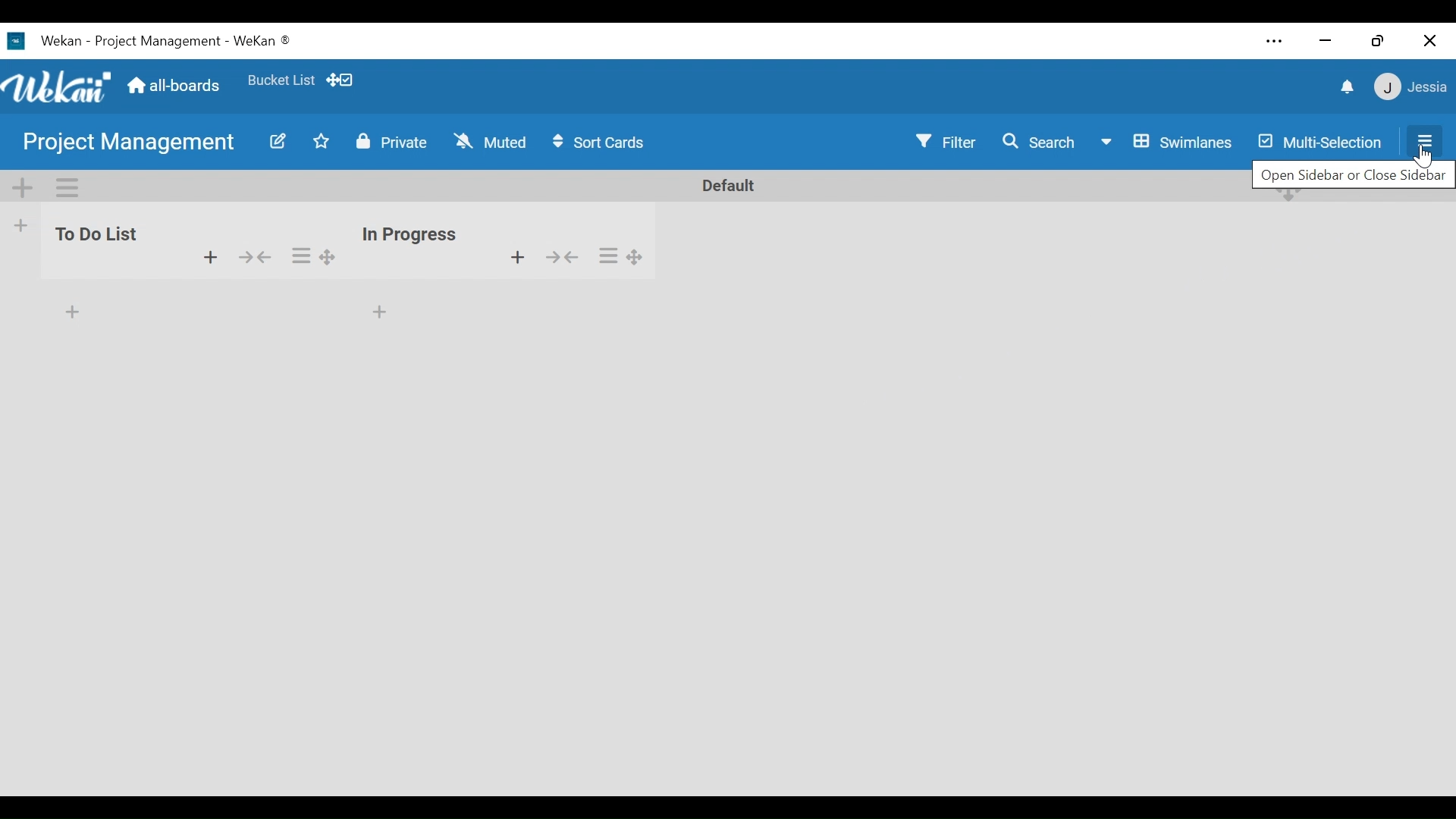 The width and height of the screenshot is (1456, 819). Describe the element at coordinates (1276, 40) in the screenshot. I see `Settings and more` at that location.